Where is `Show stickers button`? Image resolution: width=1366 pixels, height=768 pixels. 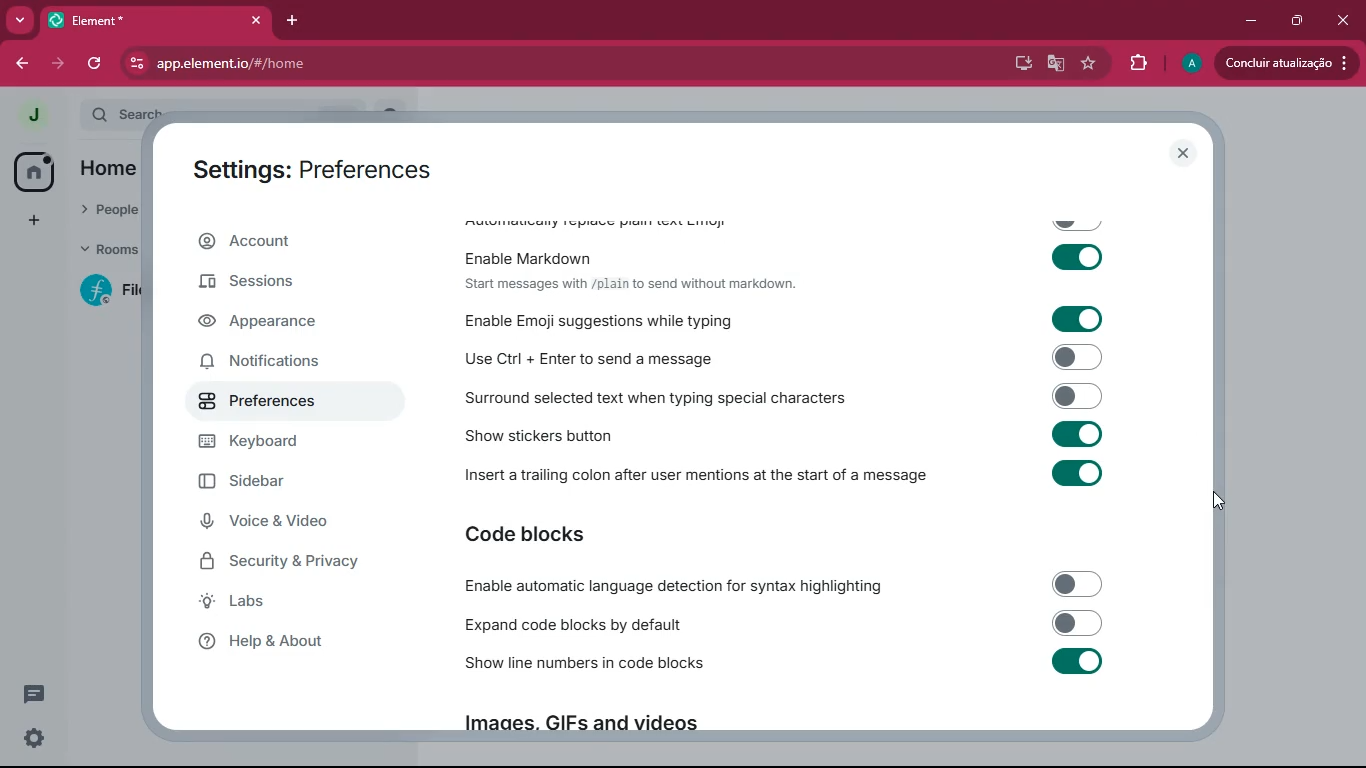 Show stickers button is located at coordinates (787, 435).